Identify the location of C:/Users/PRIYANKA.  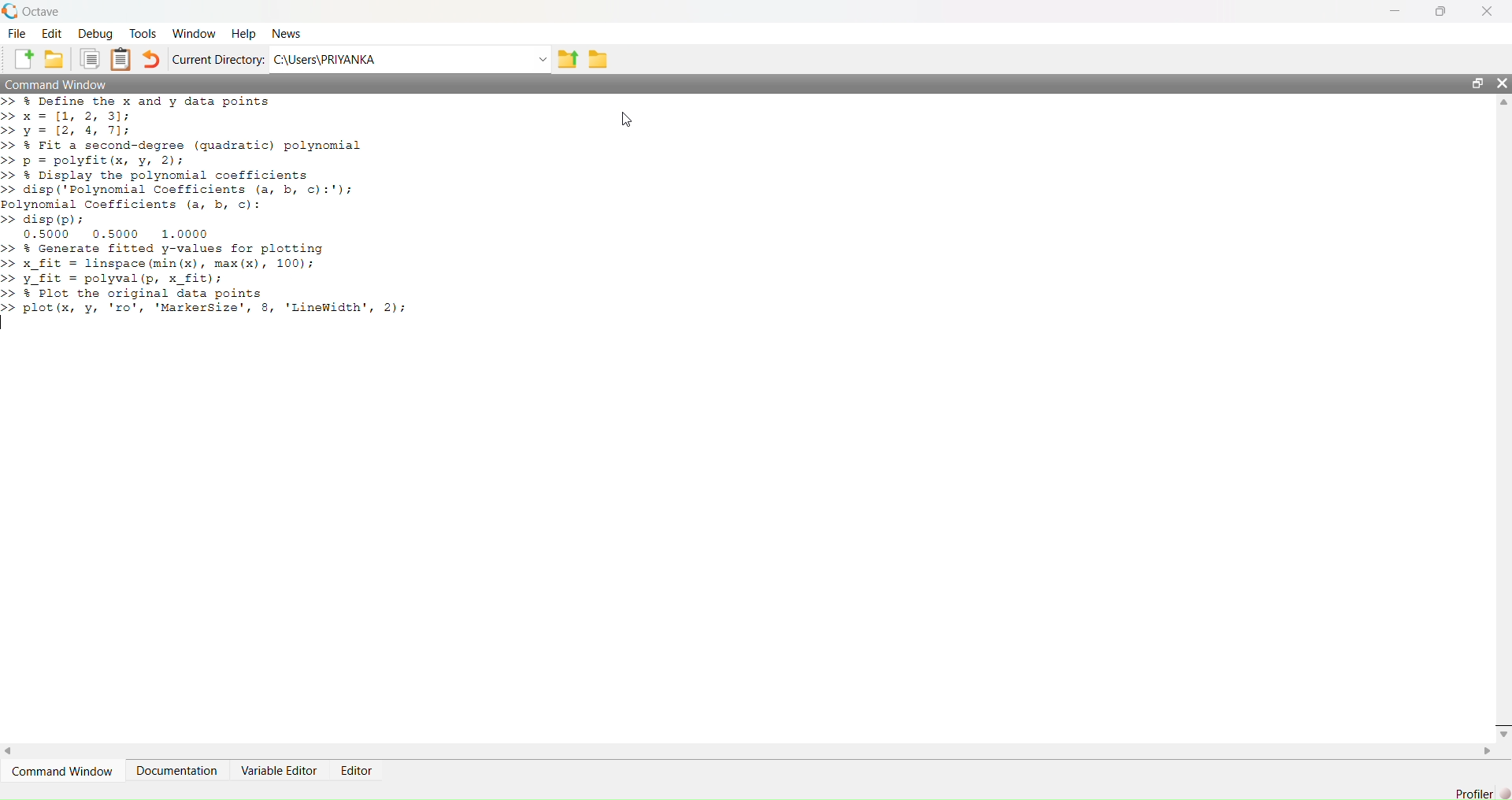
(398, 57).